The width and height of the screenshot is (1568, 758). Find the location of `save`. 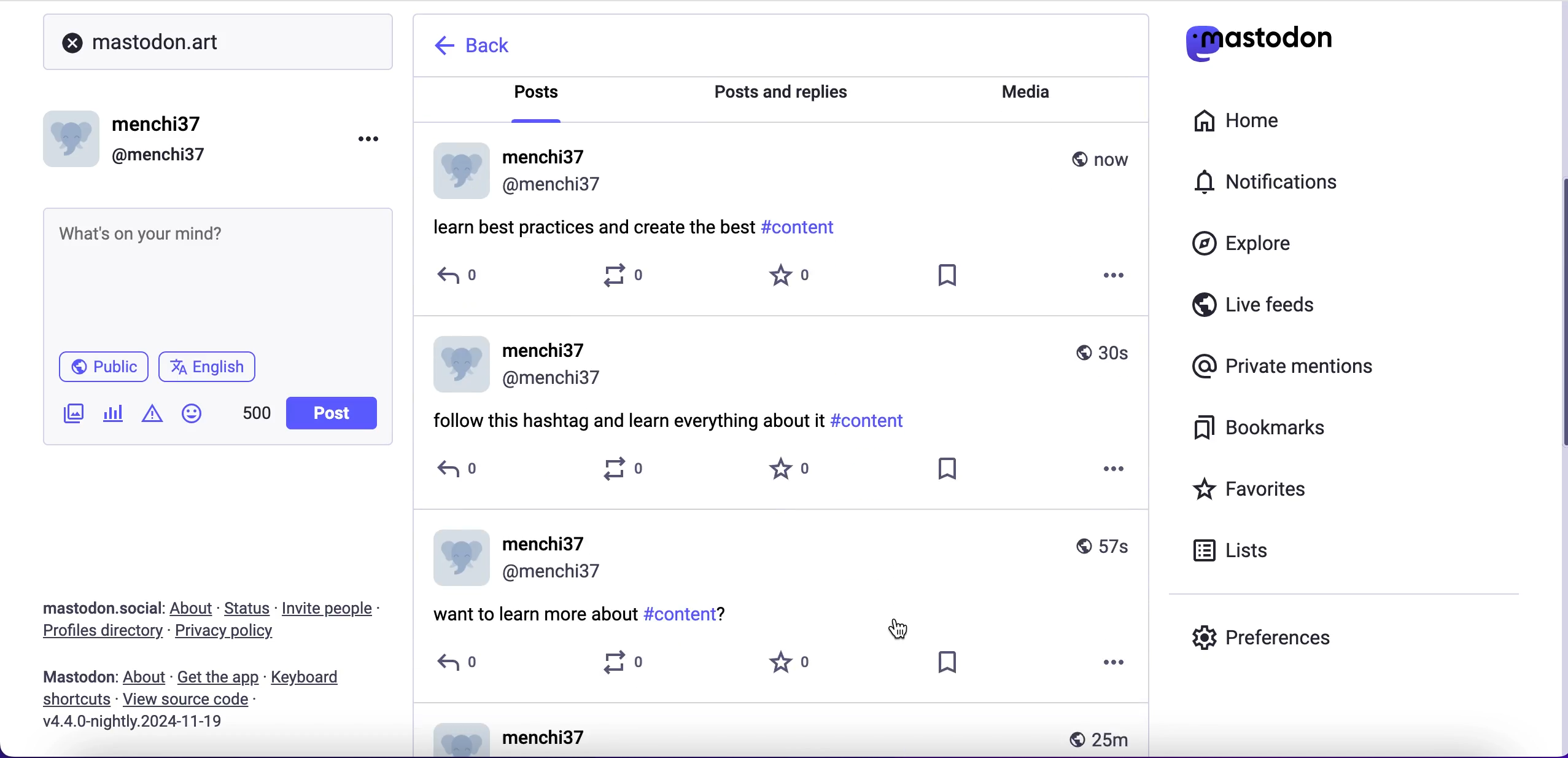

save is located at coordinates (955, 472).